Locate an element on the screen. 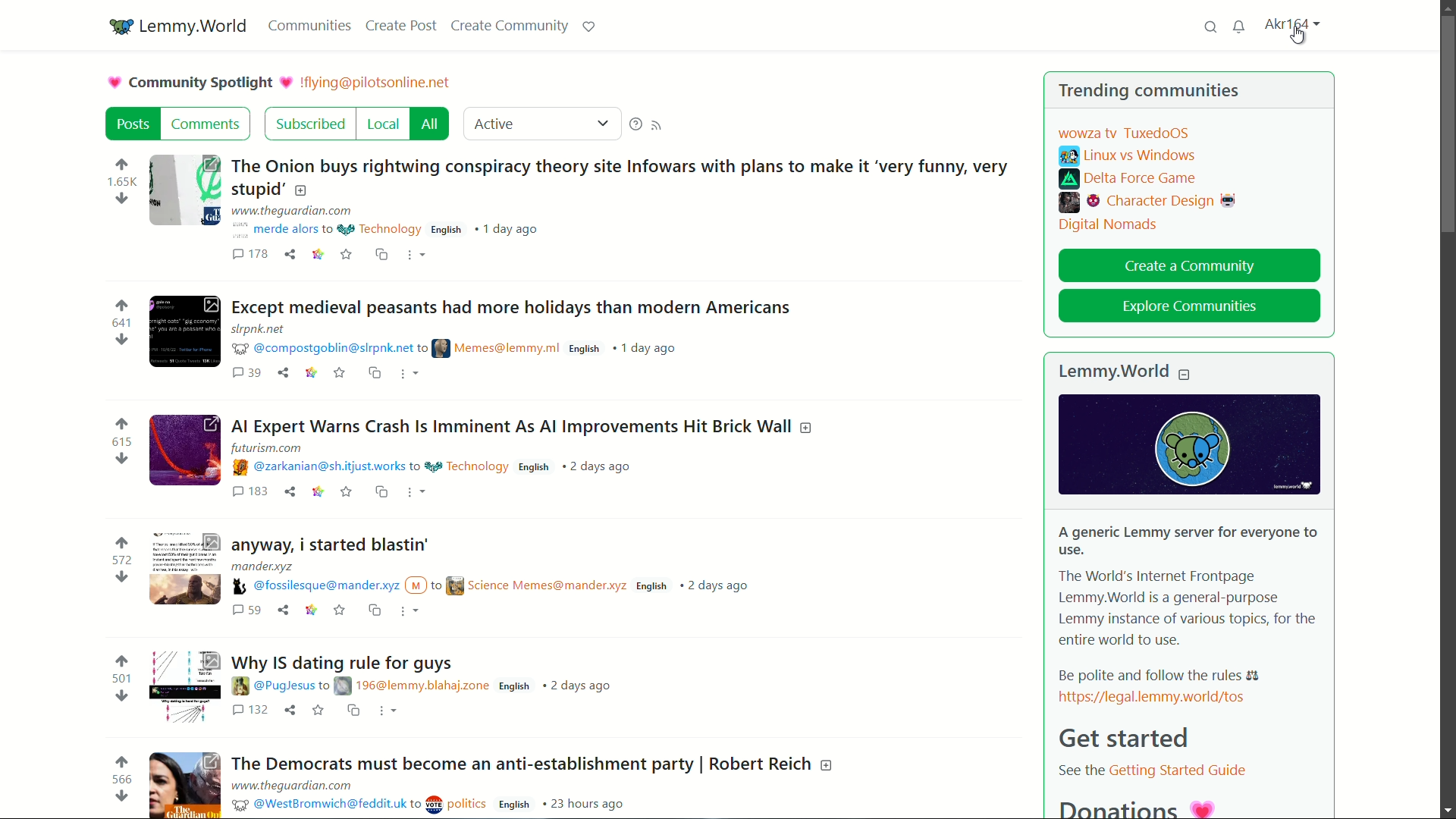  username is located at coordinates (1291, 24).